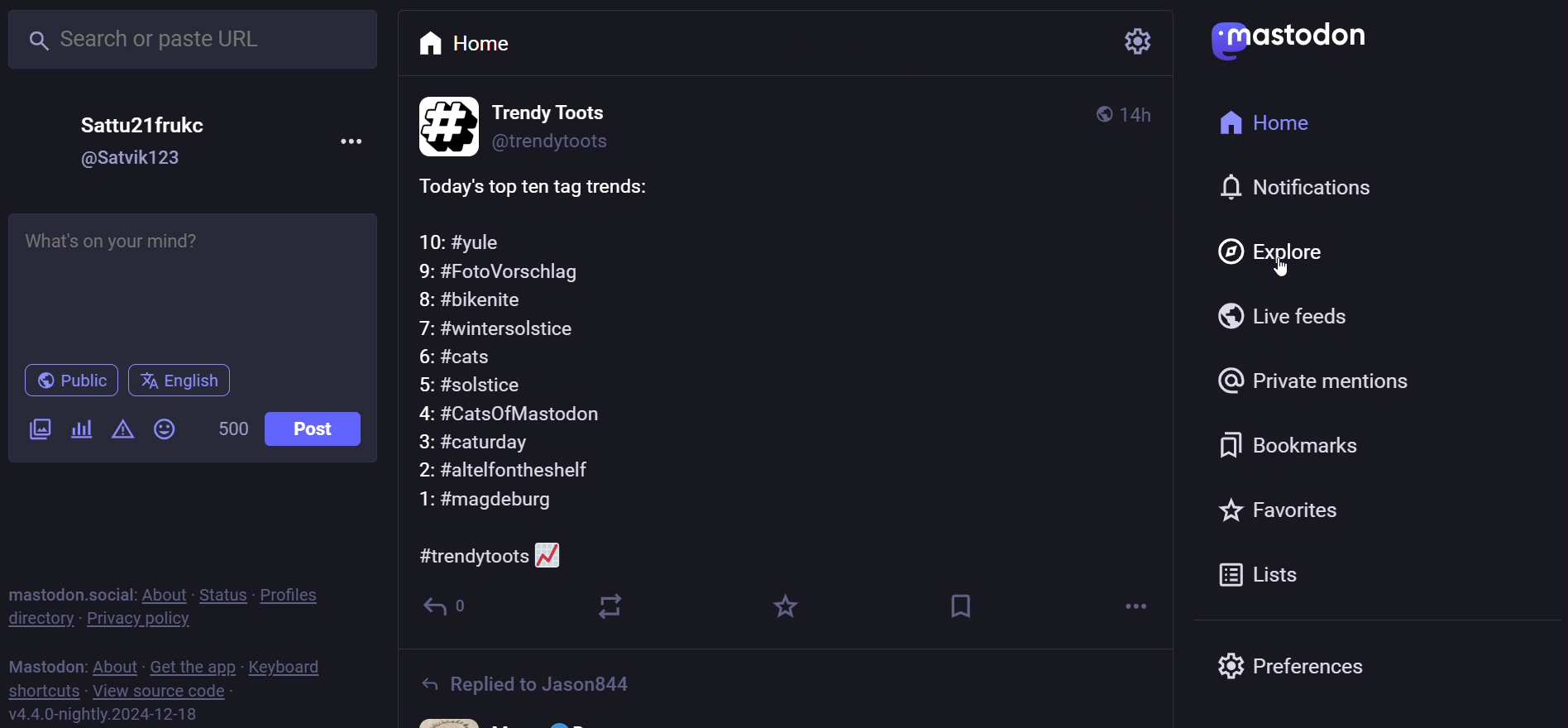 The image size is (1568, 728). What do you see at coordinates (122, 429) in the screenshot?
I see `content warning` at bounding box center [122, 429].